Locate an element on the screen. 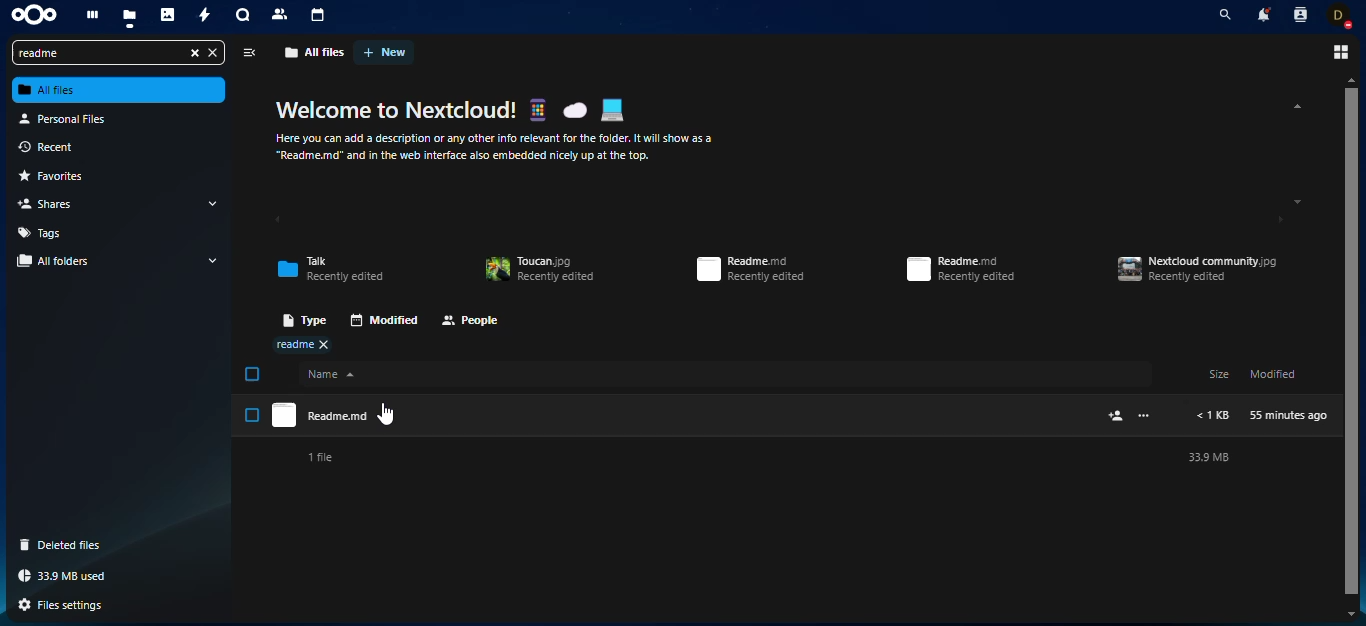  select all is located at coordinates (253, 374).